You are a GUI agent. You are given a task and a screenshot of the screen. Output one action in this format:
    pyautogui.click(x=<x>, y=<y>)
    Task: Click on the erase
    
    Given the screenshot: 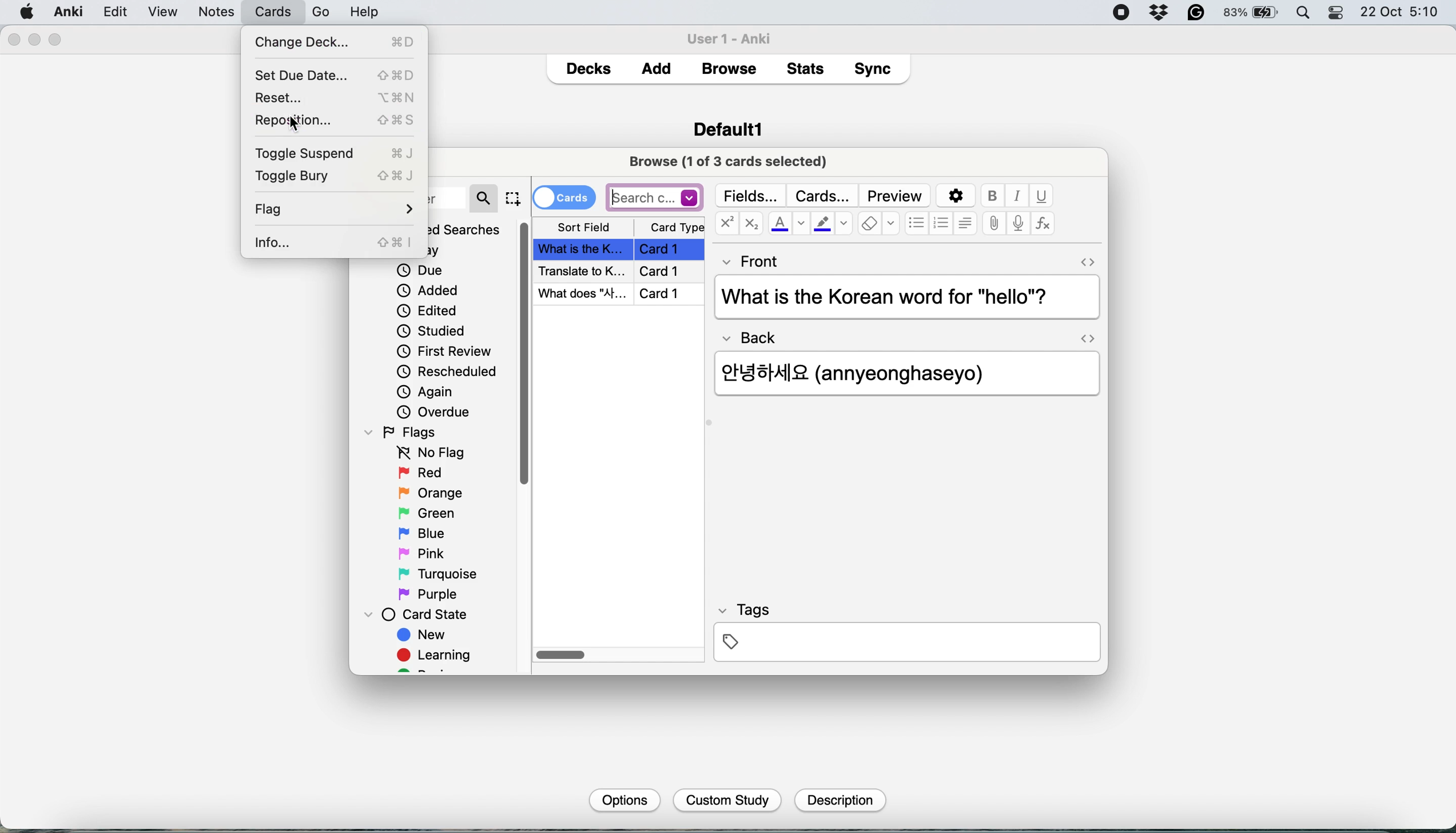 What is the action you would take?
    pyautogui.click(x=878, y=224)
    